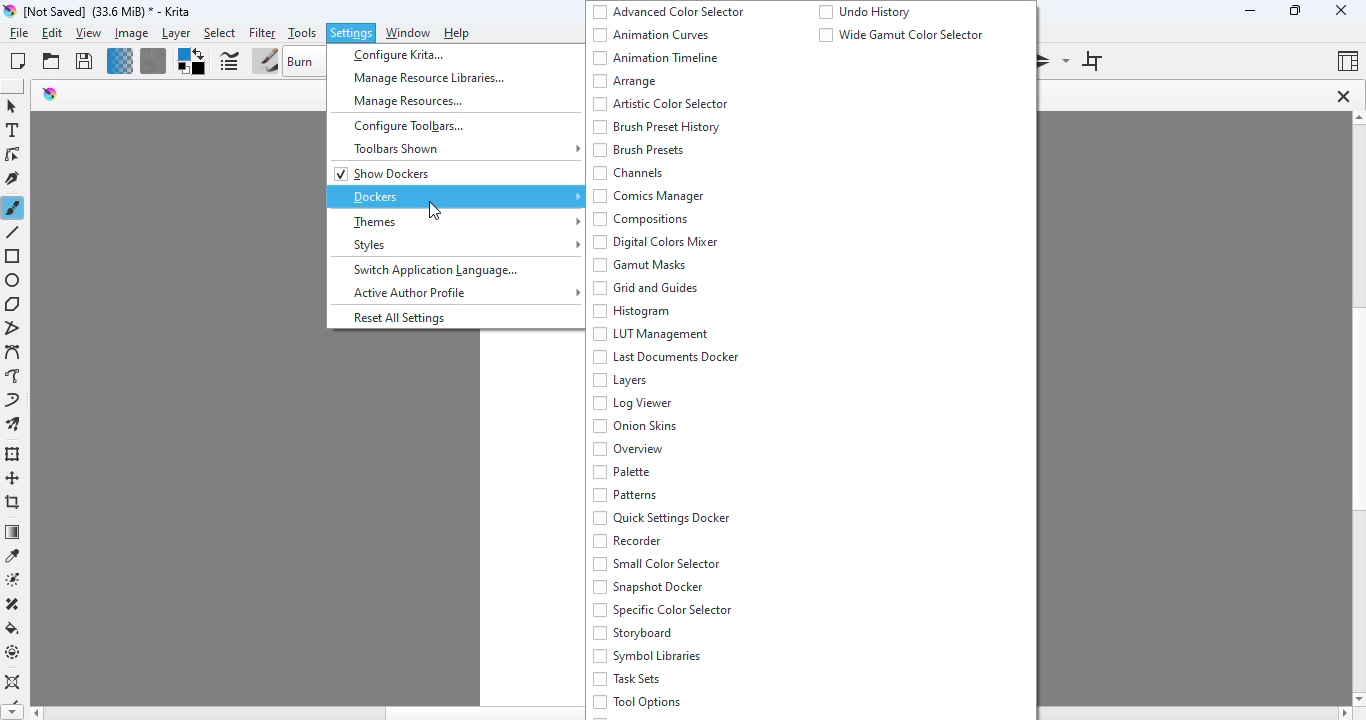 The image size is (1366, 720). I want to click on comics manager, so click(648, 196).